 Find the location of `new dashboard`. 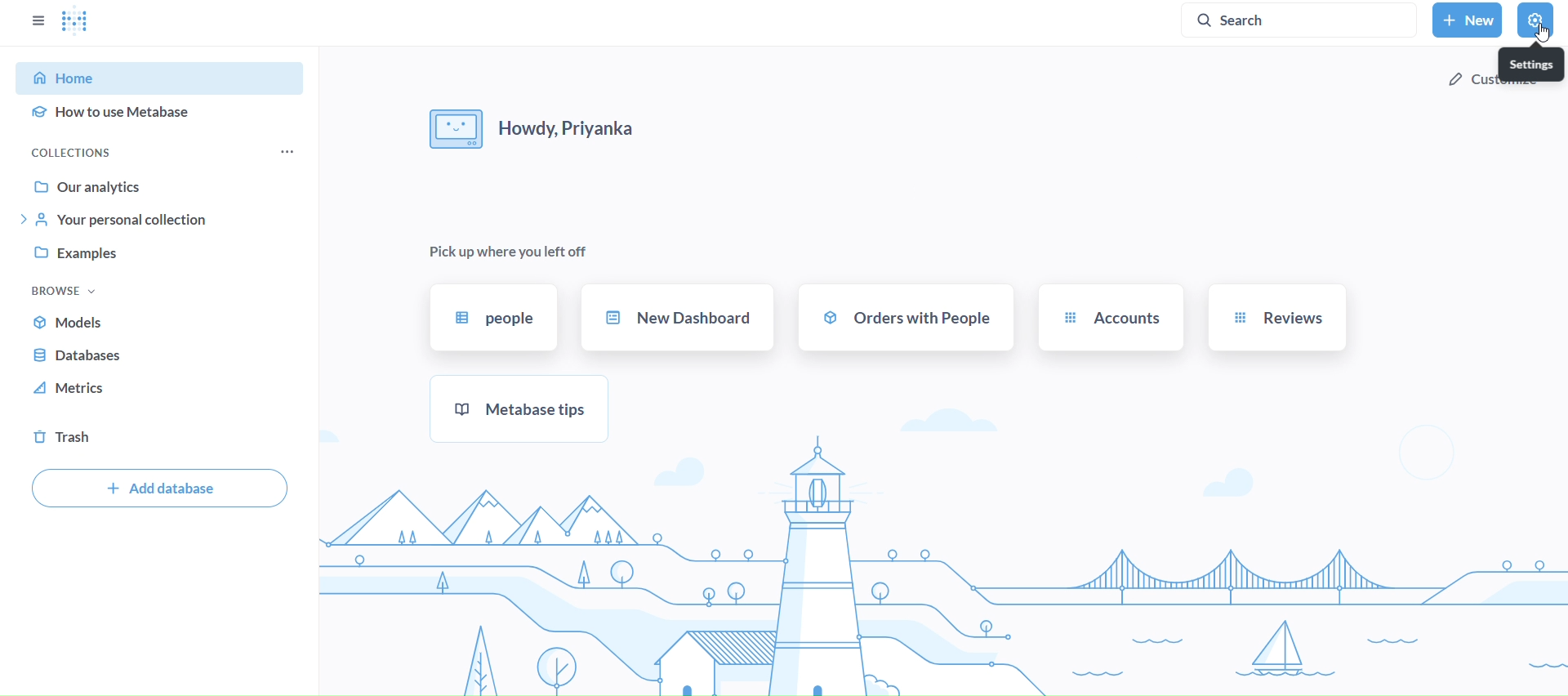

new dashboard is located at coordinates (678, 315).